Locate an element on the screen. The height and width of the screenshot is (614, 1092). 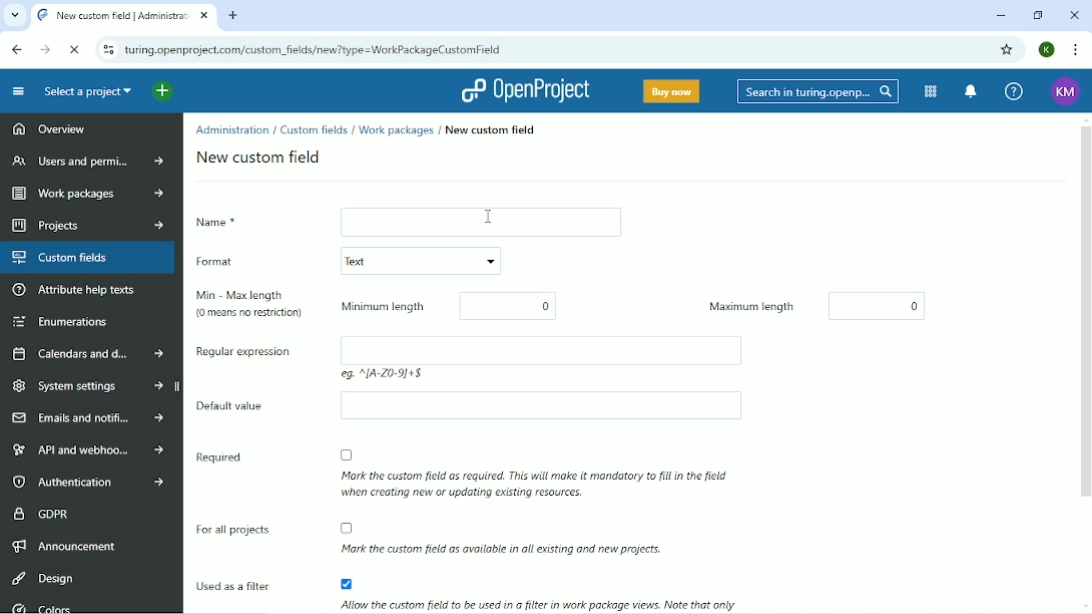
Search in turing.openproject.com is located at coordinates (816, 91).